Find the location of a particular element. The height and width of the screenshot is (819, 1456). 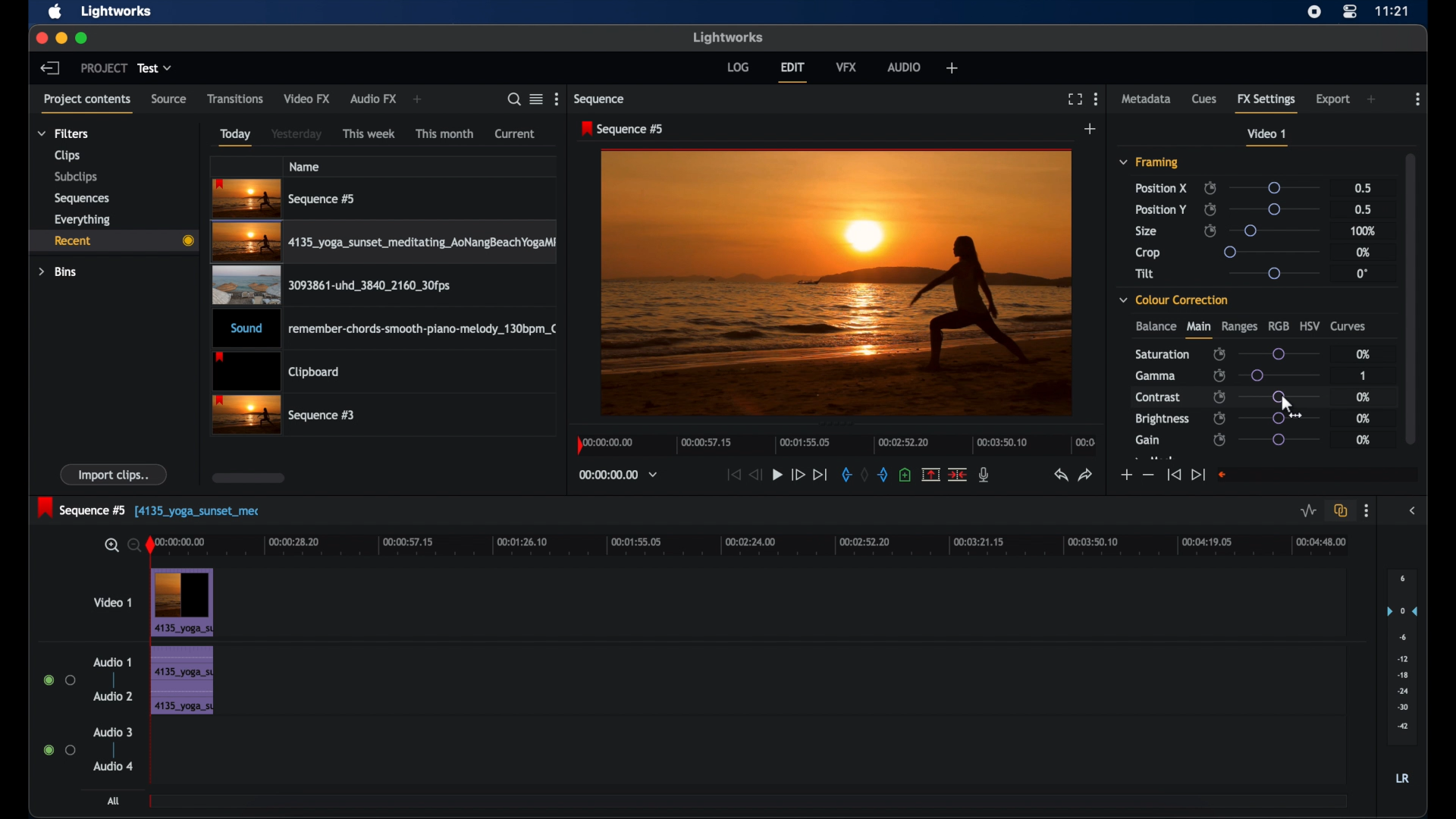

metadata is located at coordinates (1147, 98).